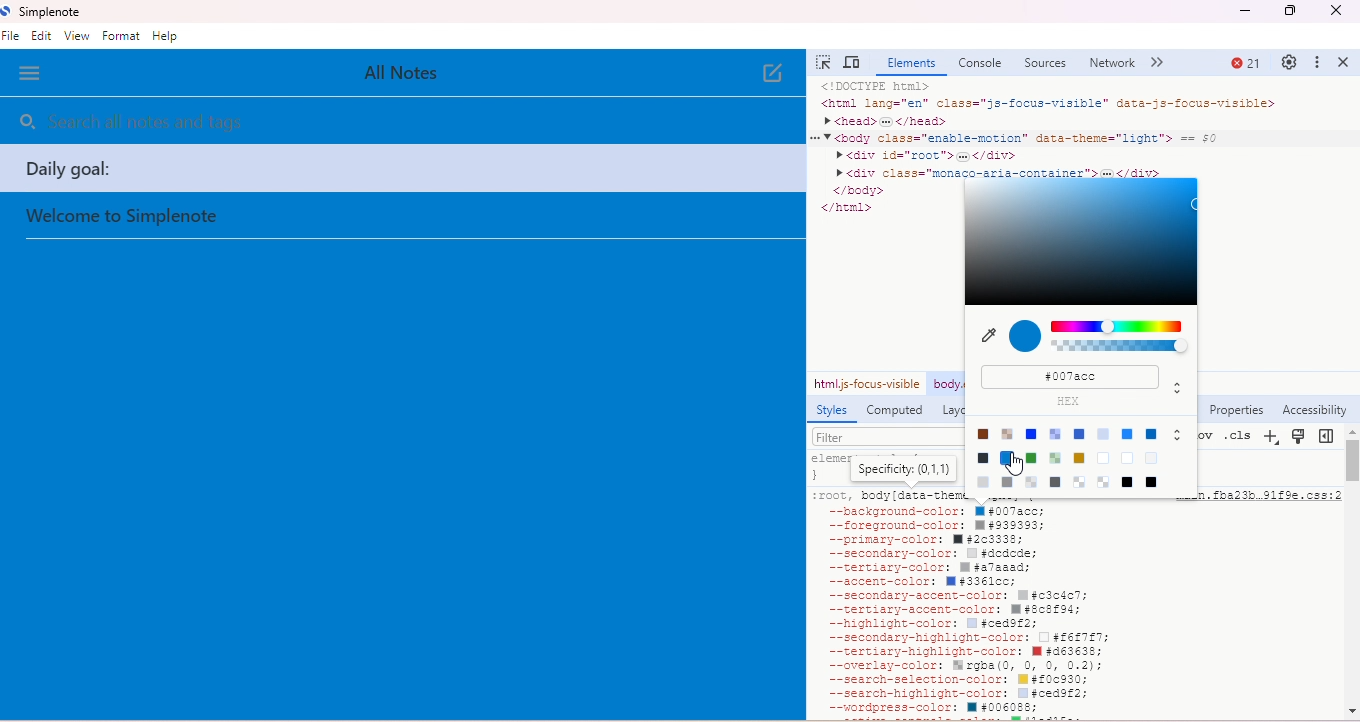 This screenshot has width=1360, height=722. I want to click on new note, so click(769, 75).